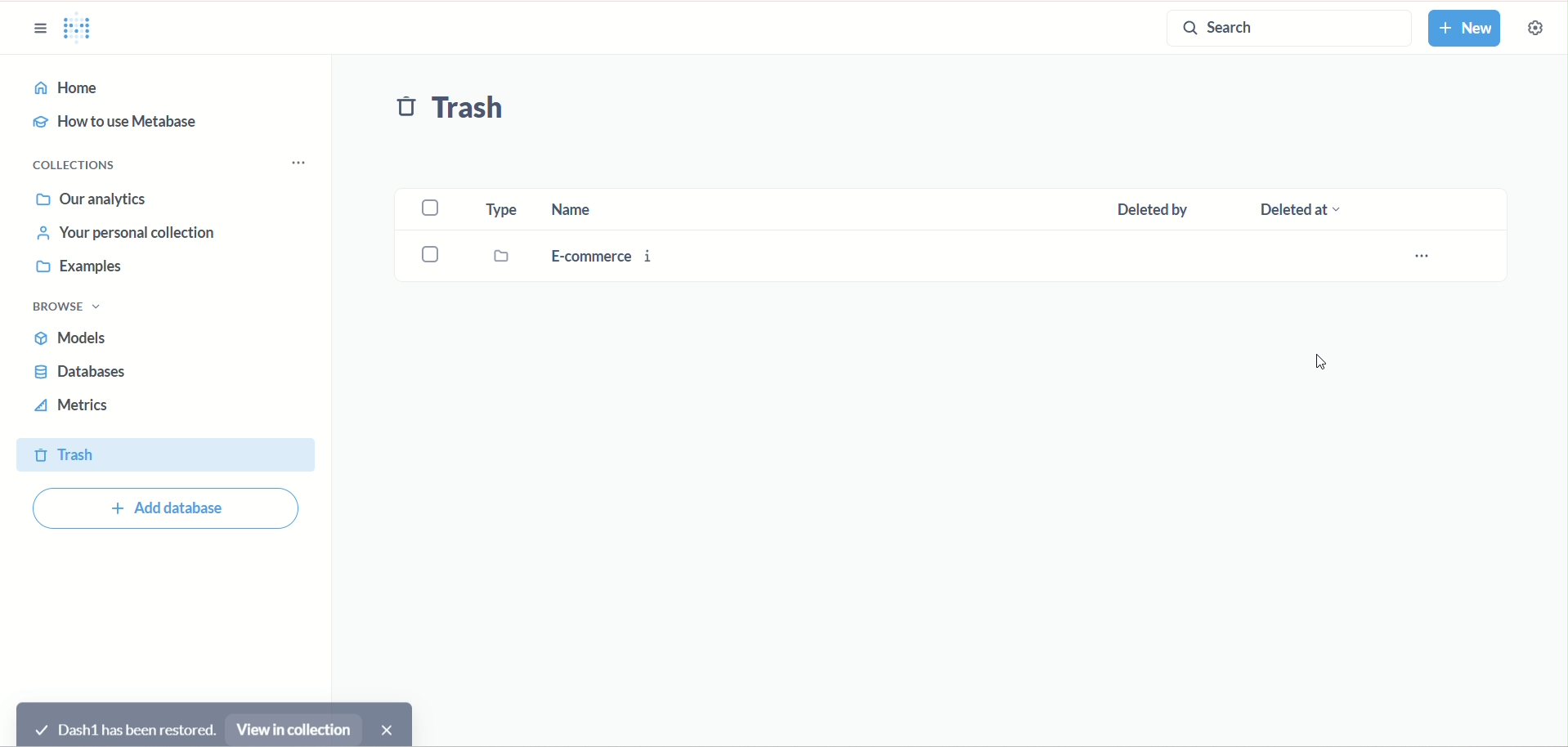 This screenshot has width=1568, height=747. I want to click on deleted by, so click(1162, 208).